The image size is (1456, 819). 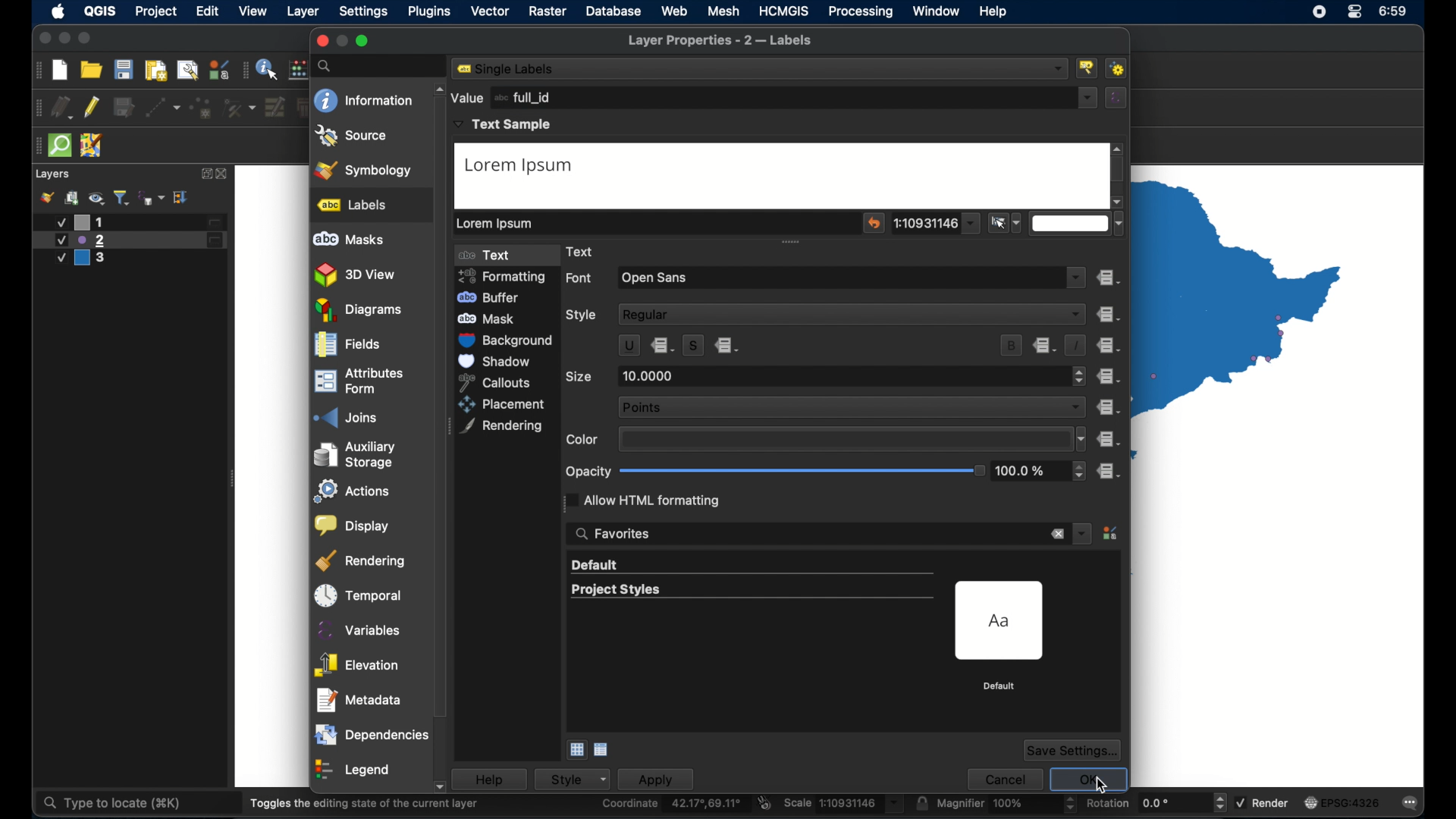 I want to click on view, so click(x=254, y=11).